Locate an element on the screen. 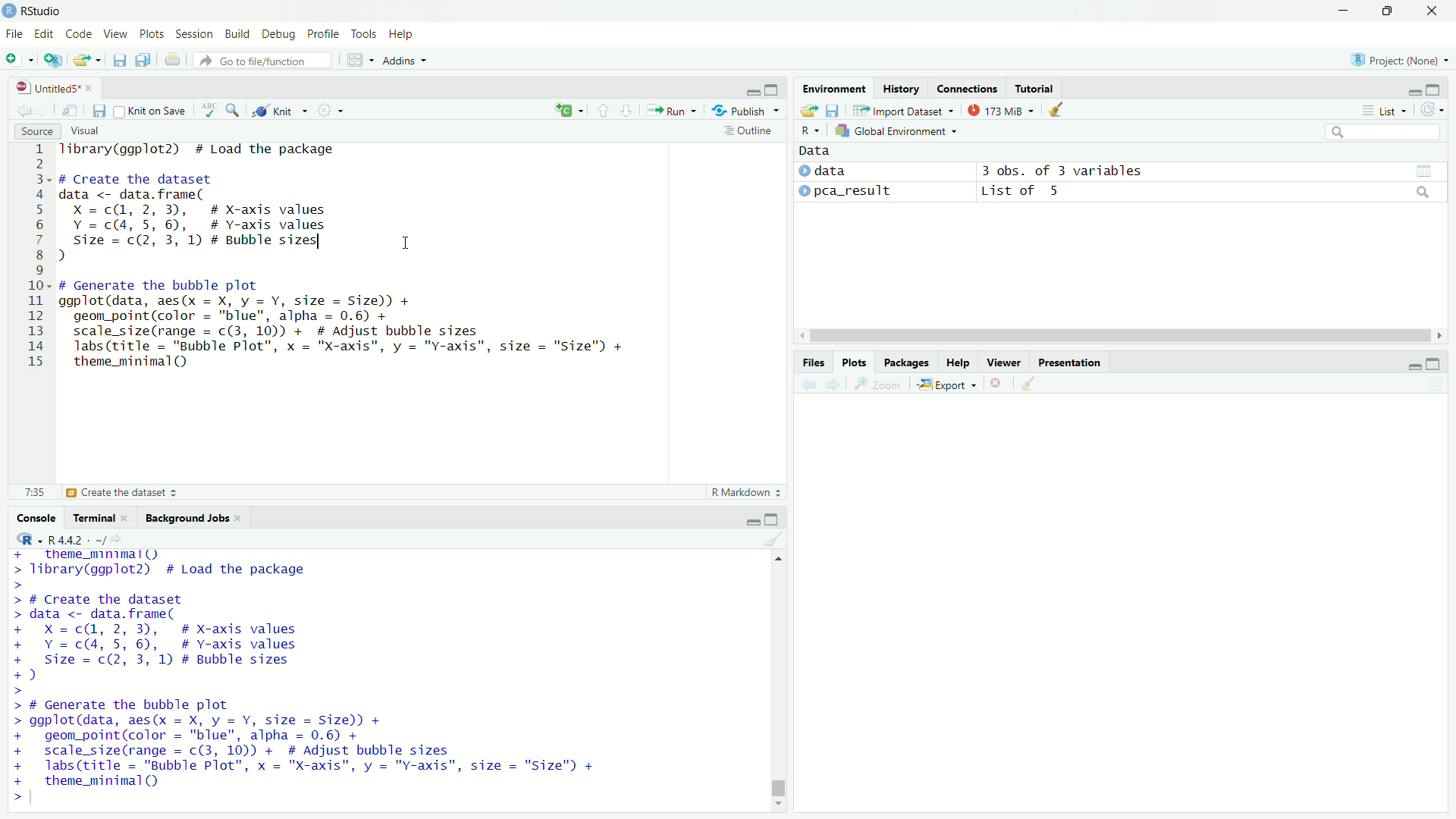 The width and height of the screenshot is (1456, 819). minimize is located at coordinates (1342, 11).